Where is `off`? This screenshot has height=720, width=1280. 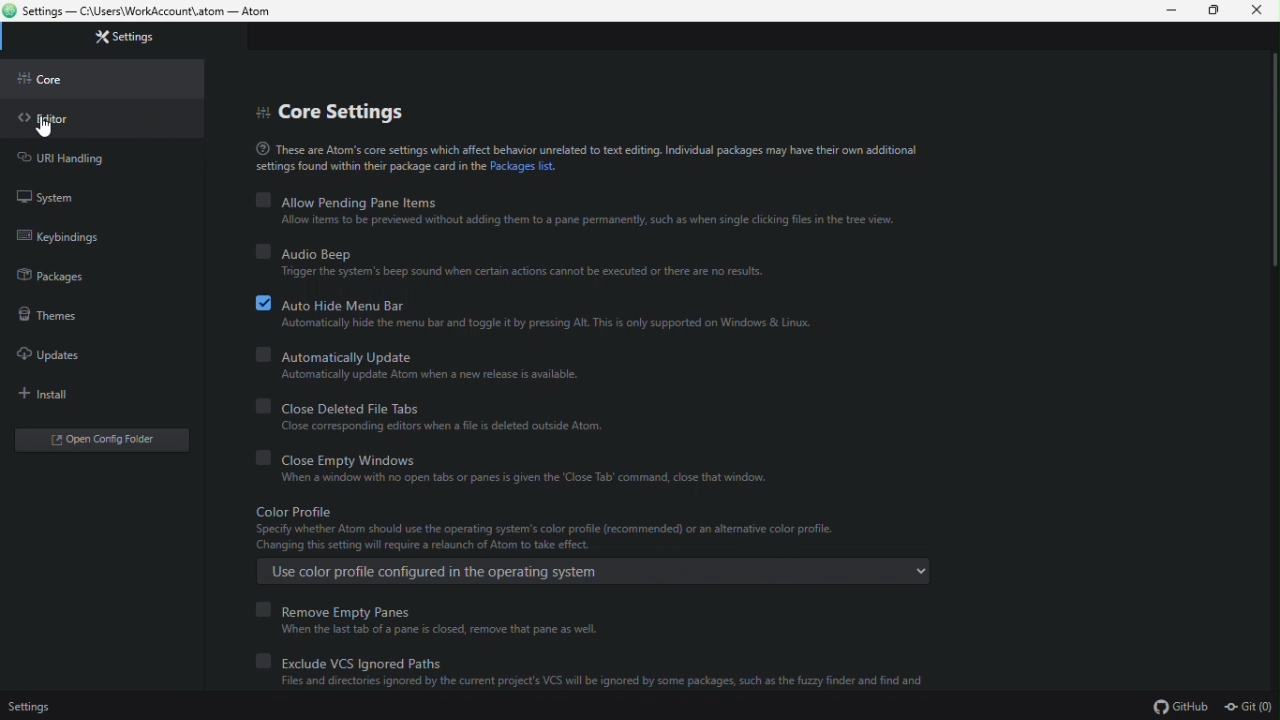
off is located at coordinates (261, 660).